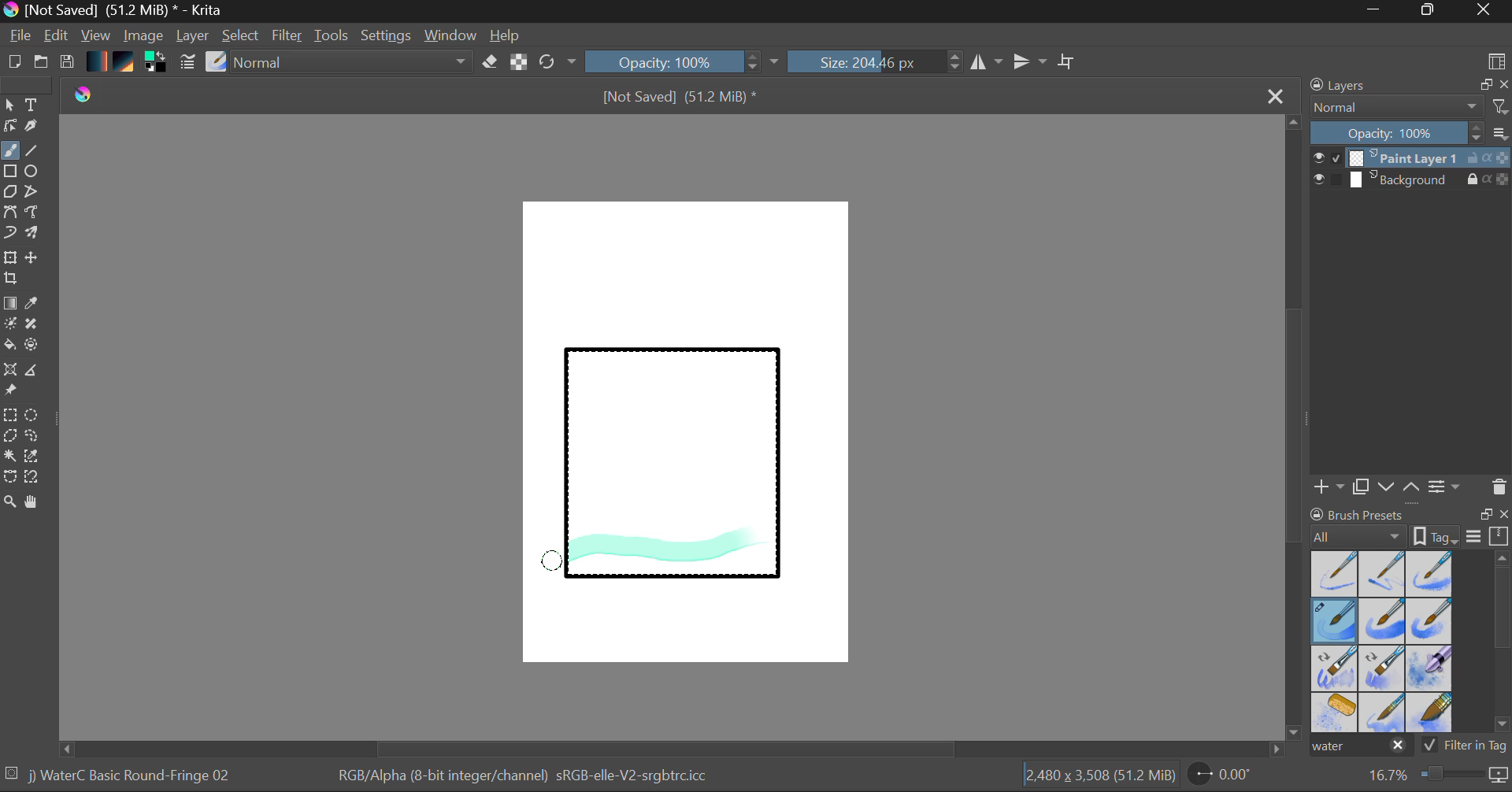 The image size is (1512, 792). Describe the element at coordinates (986, 62) in the screenshot. I see `Vertical Mirror Flip` at that location.